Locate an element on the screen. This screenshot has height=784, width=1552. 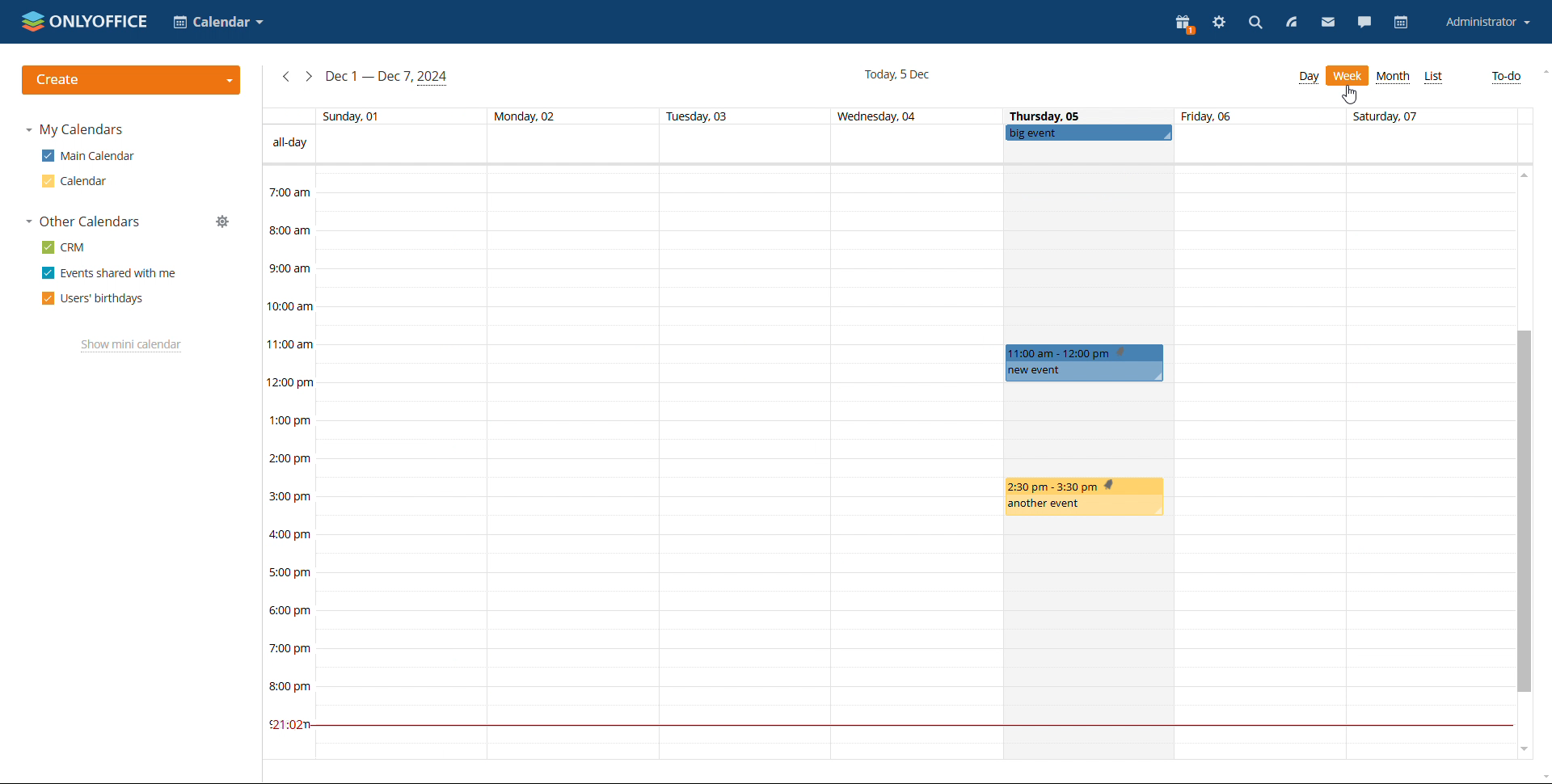
day view is located at coordinates (1308, 76).